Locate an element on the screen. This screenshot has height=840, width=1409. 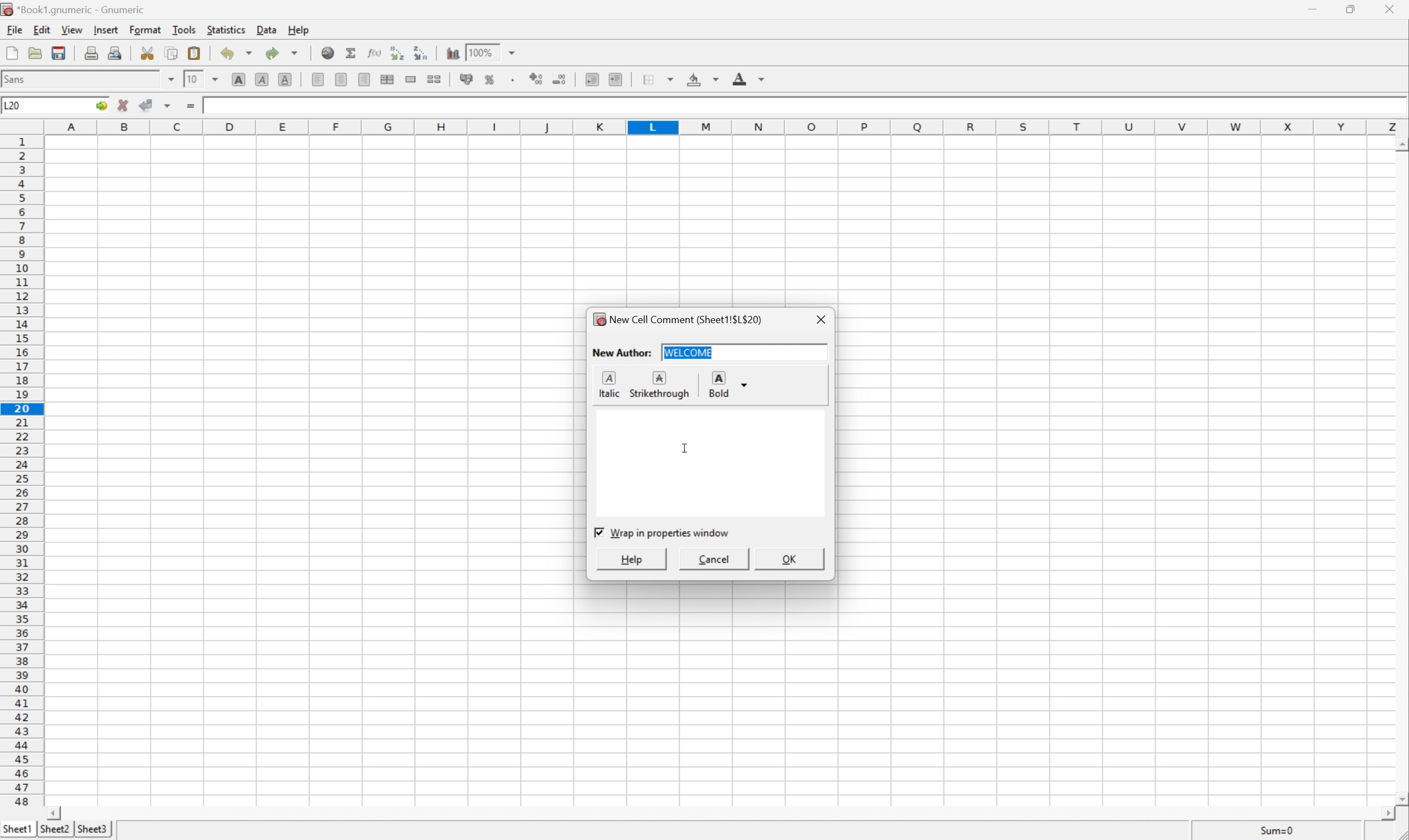
OK is located at coordinates (792, 559).